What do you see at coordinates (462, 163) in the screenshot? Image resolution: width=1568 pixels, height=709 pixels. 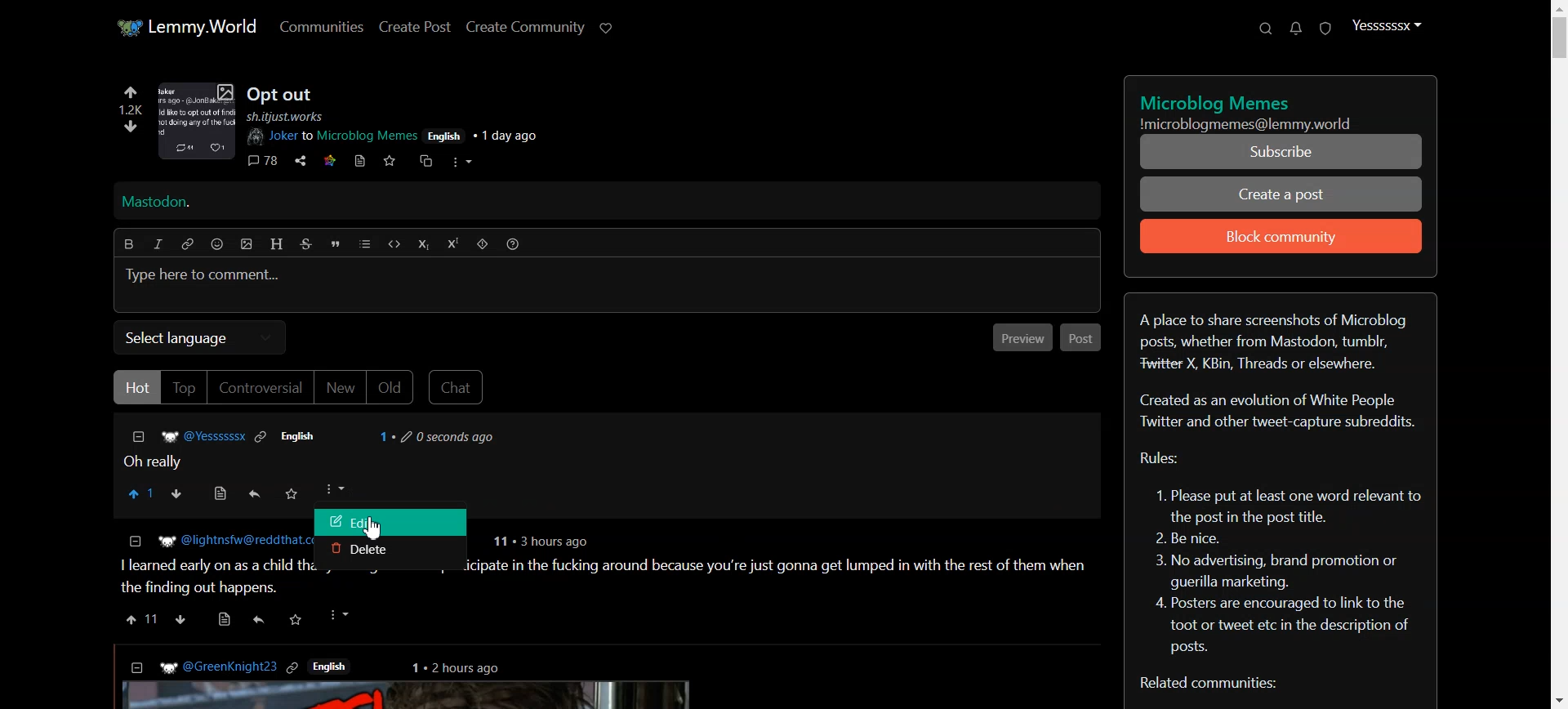 I see `more` at bounding box center [462, 163].